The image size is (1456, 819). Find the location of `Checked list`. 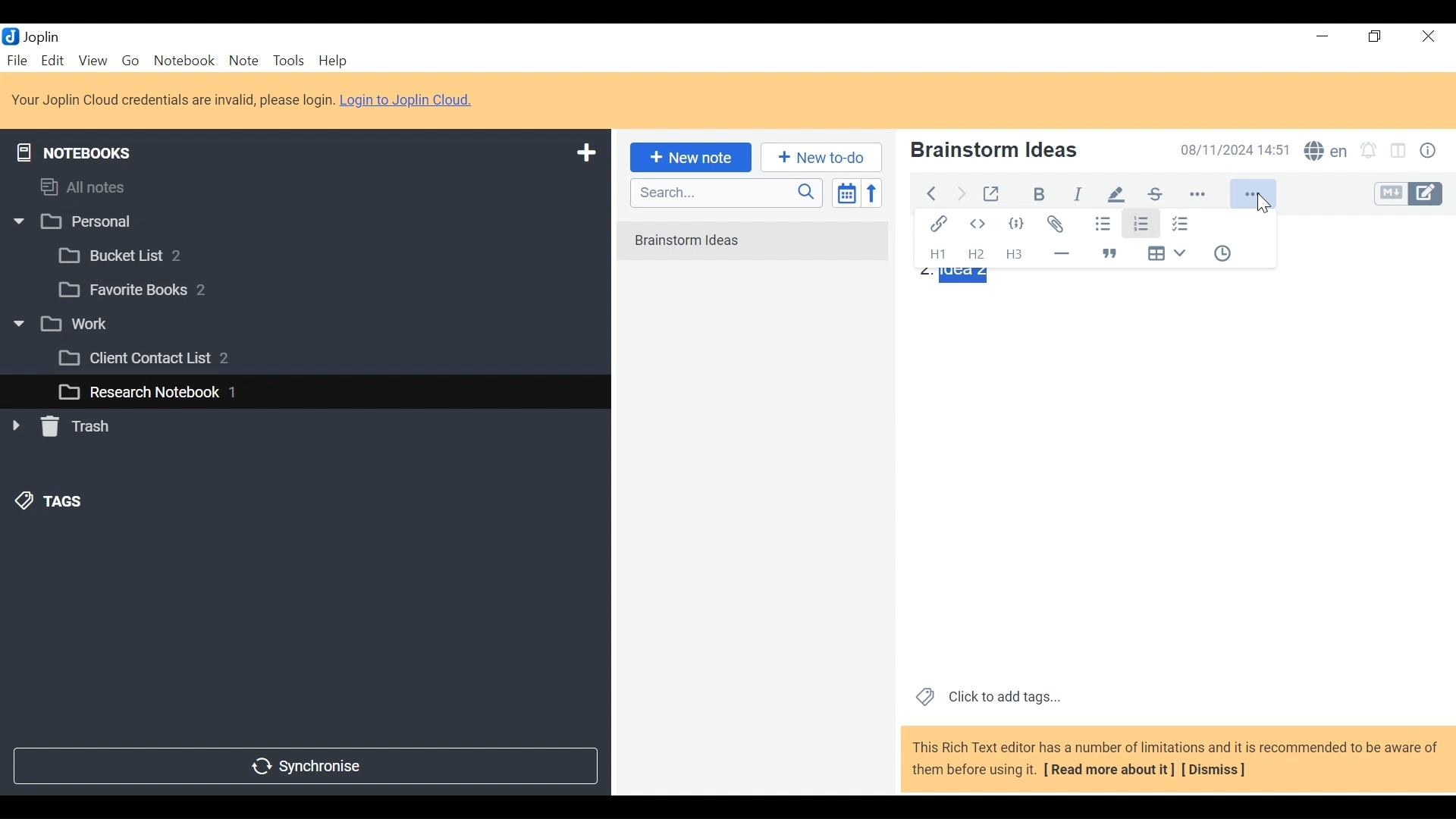

Checked list is located at coordinates (1181, 224).